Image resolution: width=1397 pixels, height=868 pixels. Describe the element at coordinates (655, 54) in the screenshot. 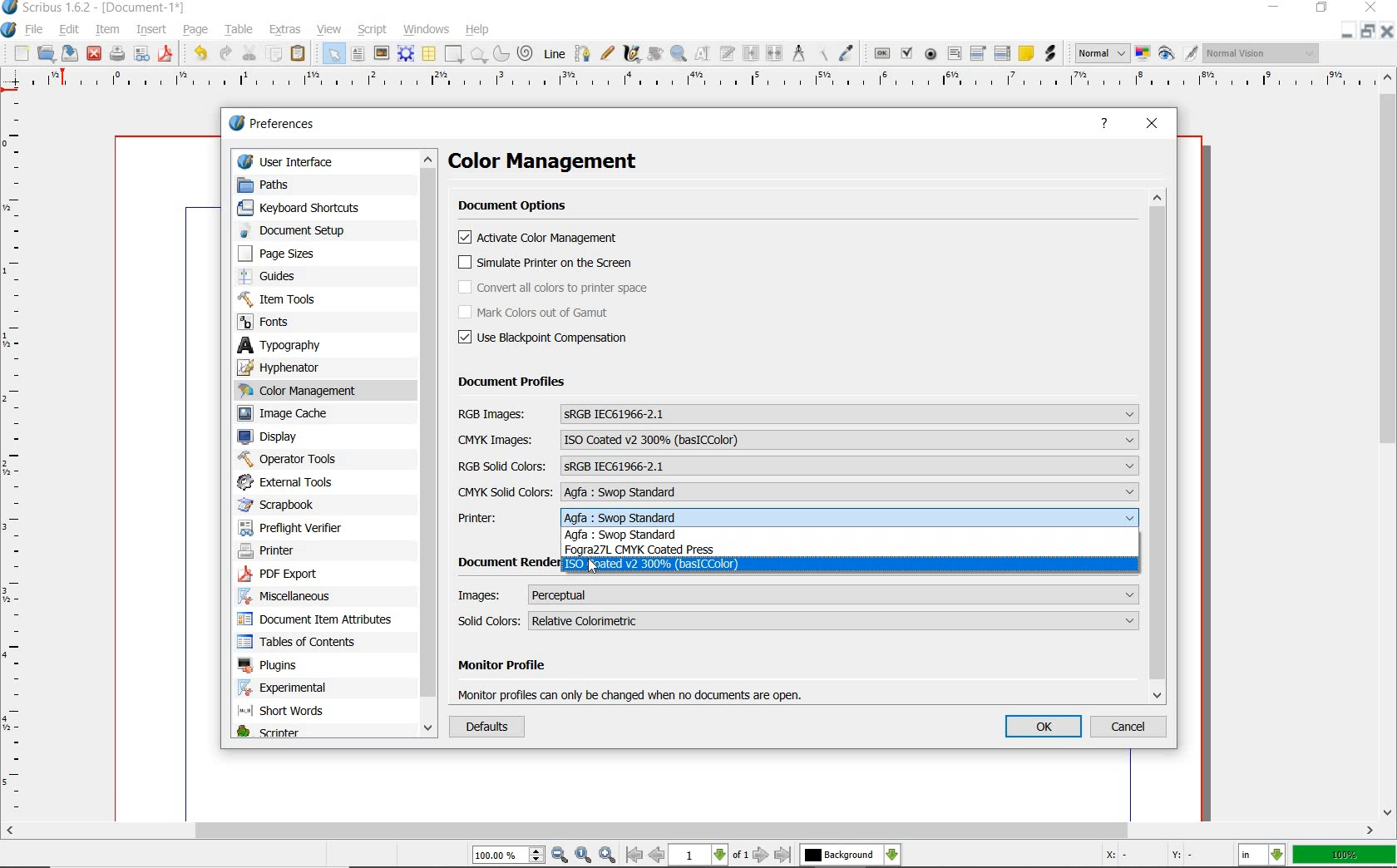

I see `rotate item` at that location.